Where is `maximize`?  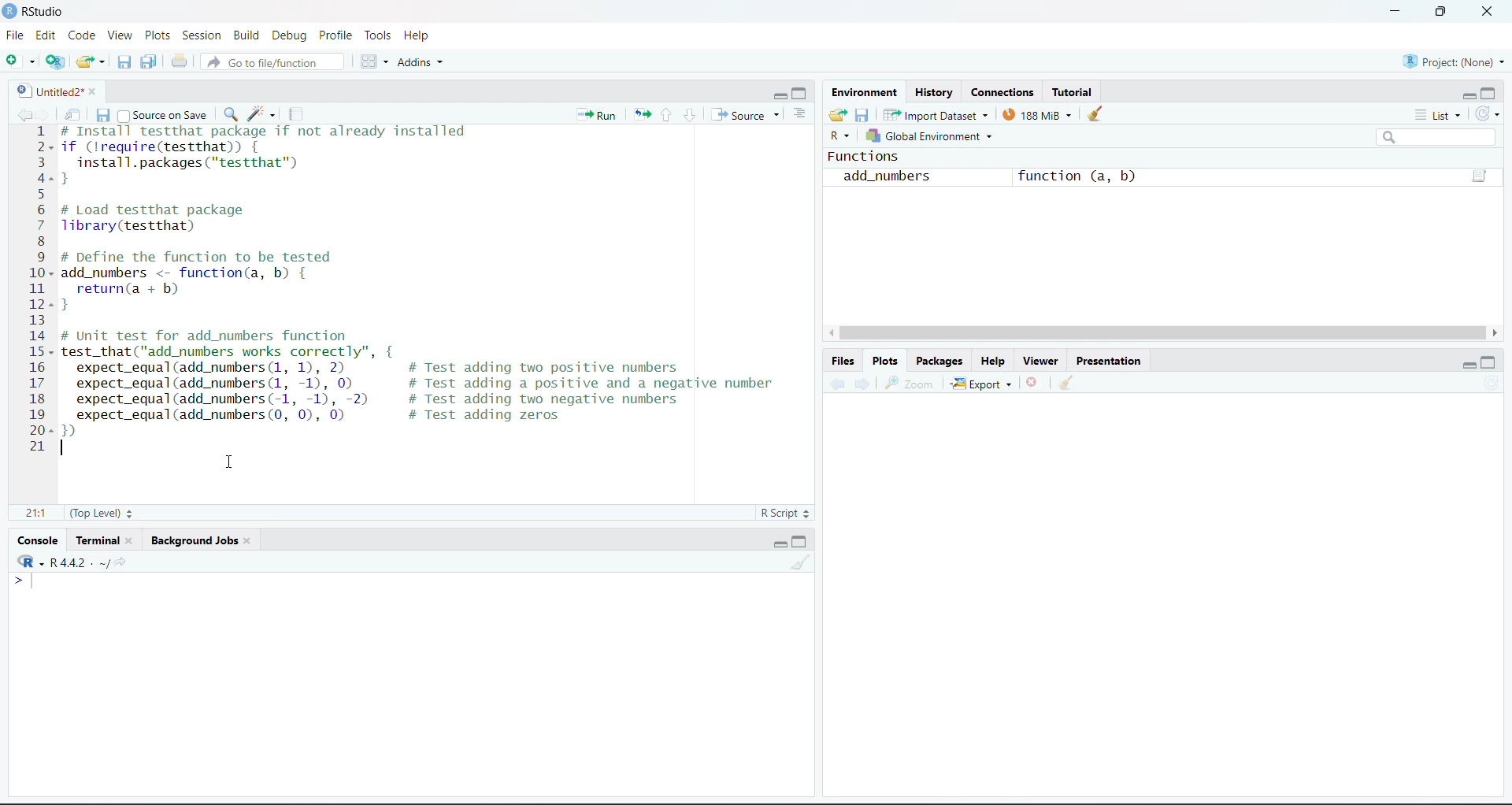 maximize is located at coordinates (1444, 12).